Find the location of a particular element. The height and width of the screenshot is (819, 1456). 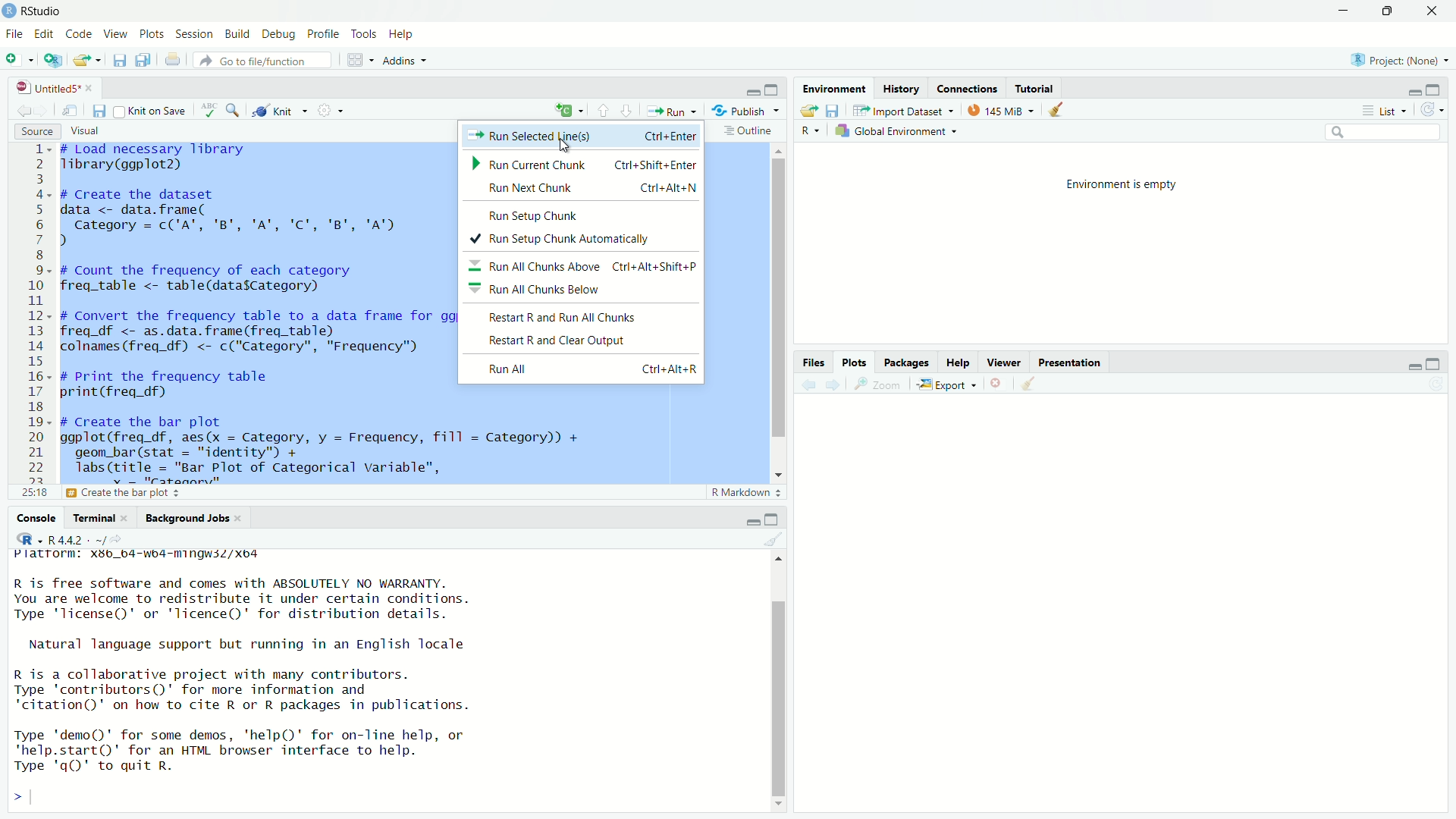

history is located at coordinates (903, 89).